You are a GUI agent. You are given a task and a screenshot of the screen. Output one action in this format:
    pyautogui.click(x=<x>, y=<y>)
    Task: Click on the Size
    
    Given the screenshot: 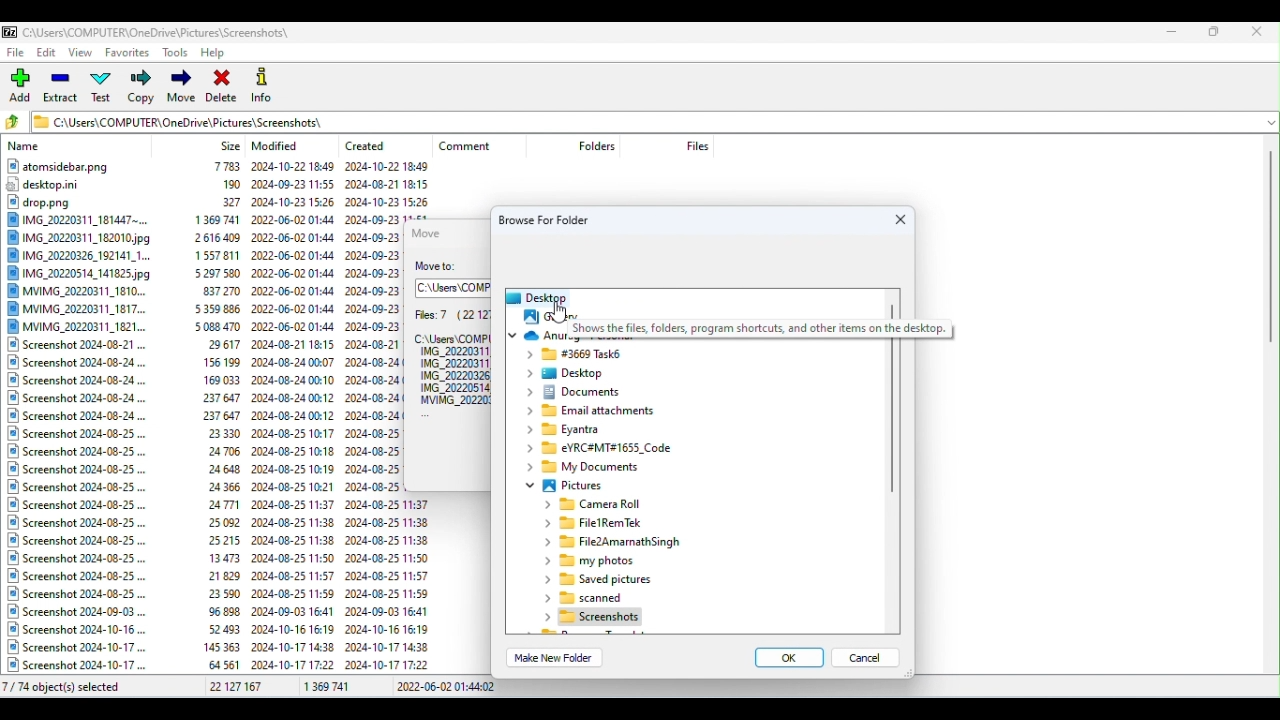 What is the action you would take?
    pyautogui.click(x=231, y=145)
    